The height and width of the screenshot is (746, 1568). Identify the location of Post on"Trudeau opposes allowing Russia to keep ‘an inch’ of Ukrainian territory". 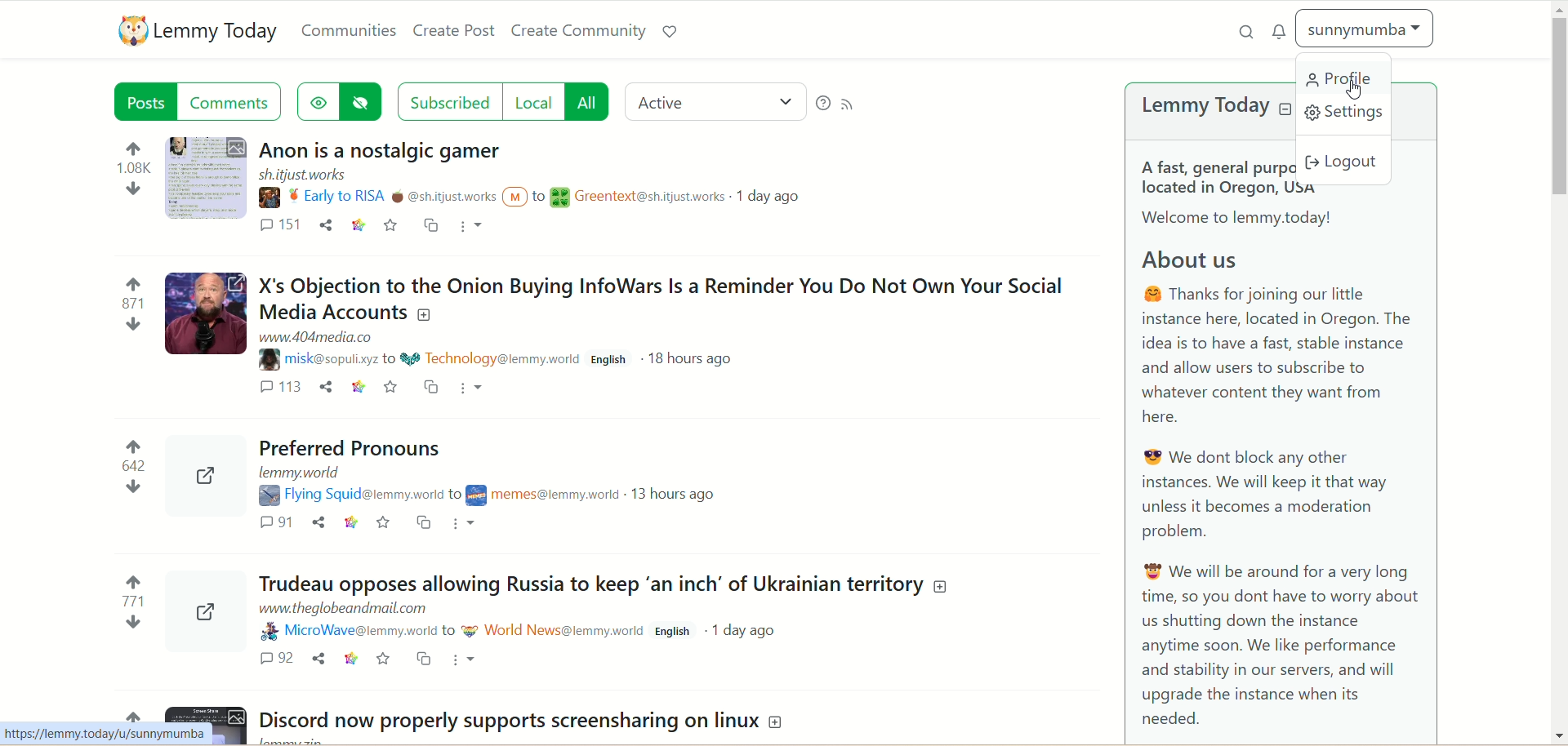
(597, 584).